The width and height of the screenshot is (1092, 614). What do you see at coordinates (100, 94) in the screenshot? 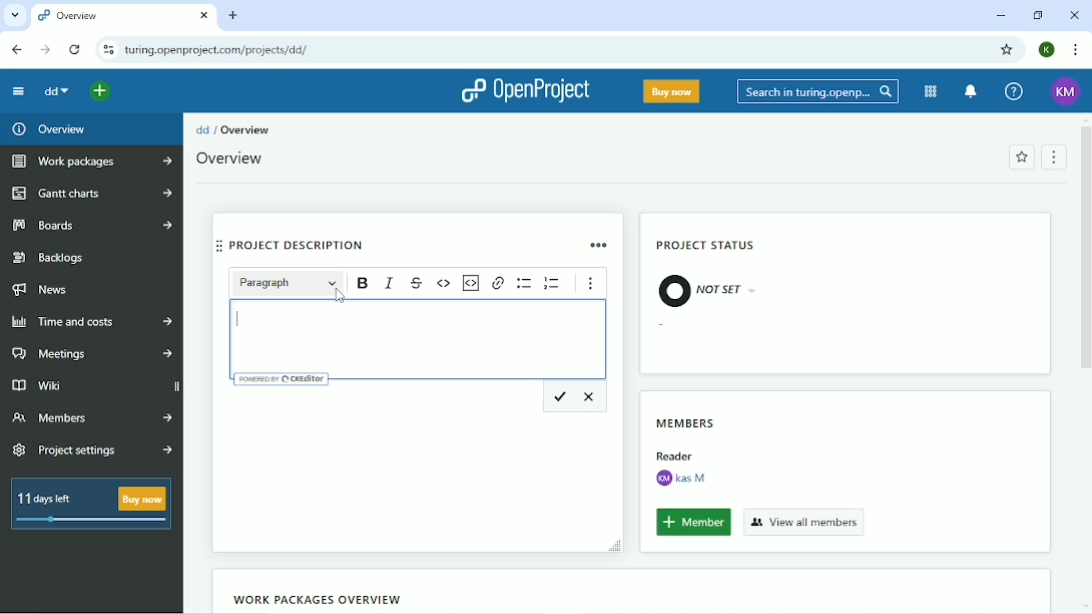
I see `Open quick add menu` at bounding box center [100, 94].